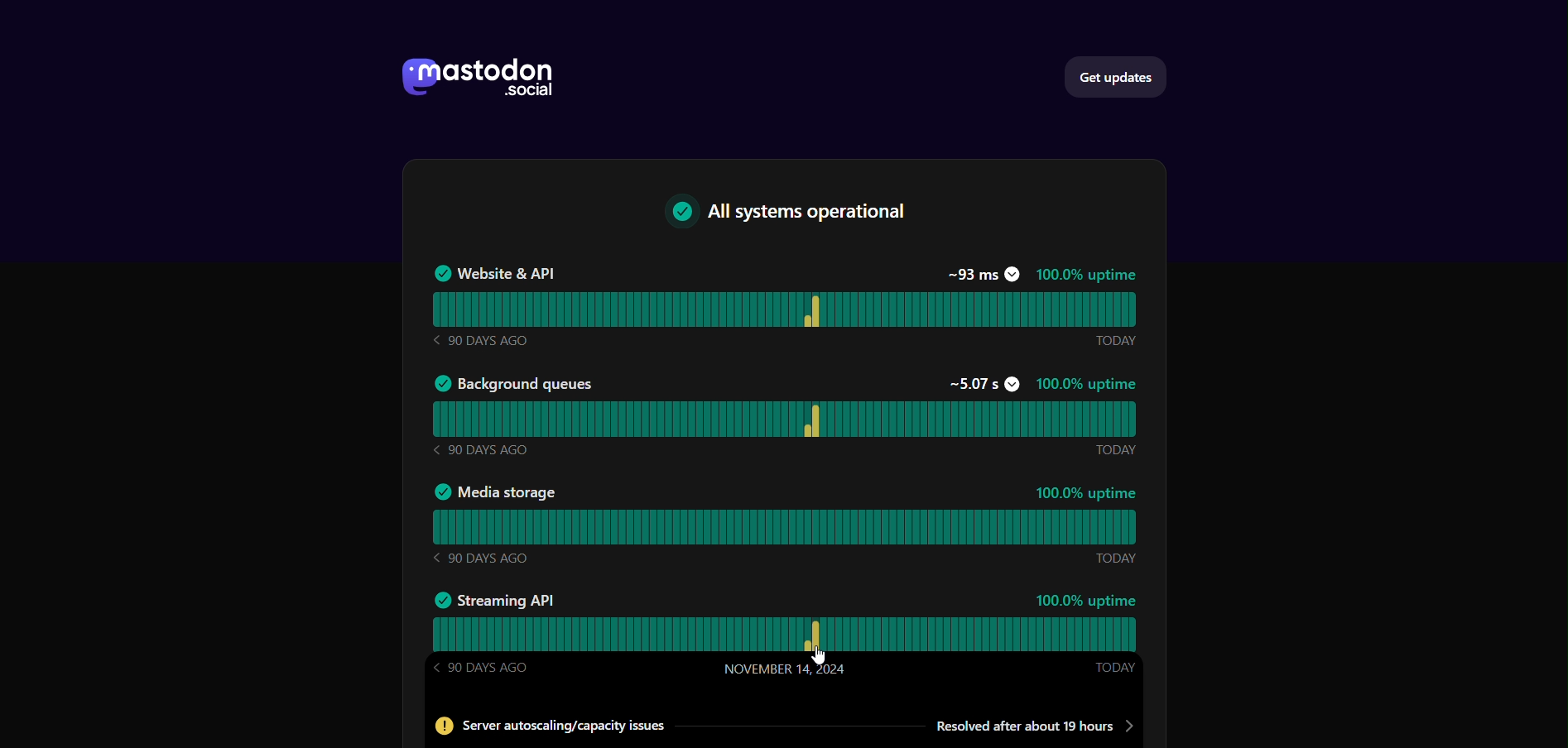 The width and height of the screenshot is (1568, 748). I want to click on 100.0% uptime, so click(1086, 276).